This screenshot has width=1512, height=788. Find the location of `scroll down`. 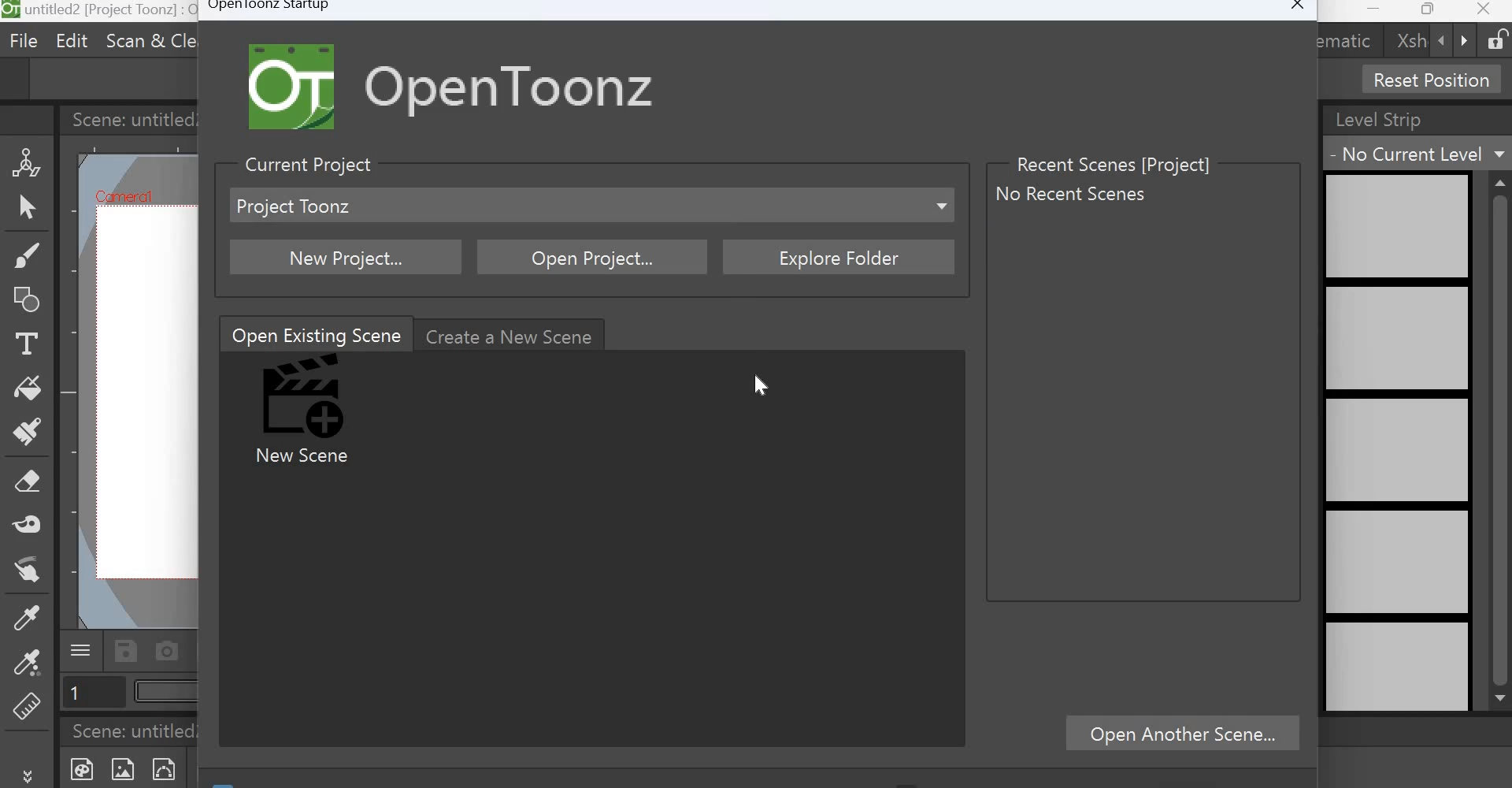

scroll down is located at coordinates (1496, 695).